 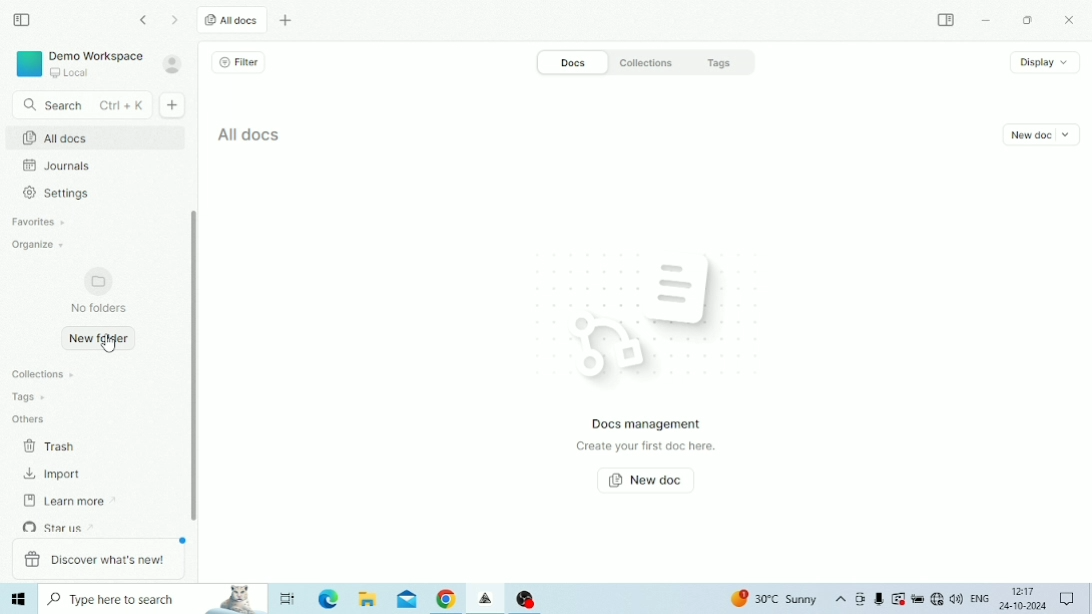 What do you see at coordinates (174, 105) in the screenshot?
I see `New doc` at bounding box center [174, 105].